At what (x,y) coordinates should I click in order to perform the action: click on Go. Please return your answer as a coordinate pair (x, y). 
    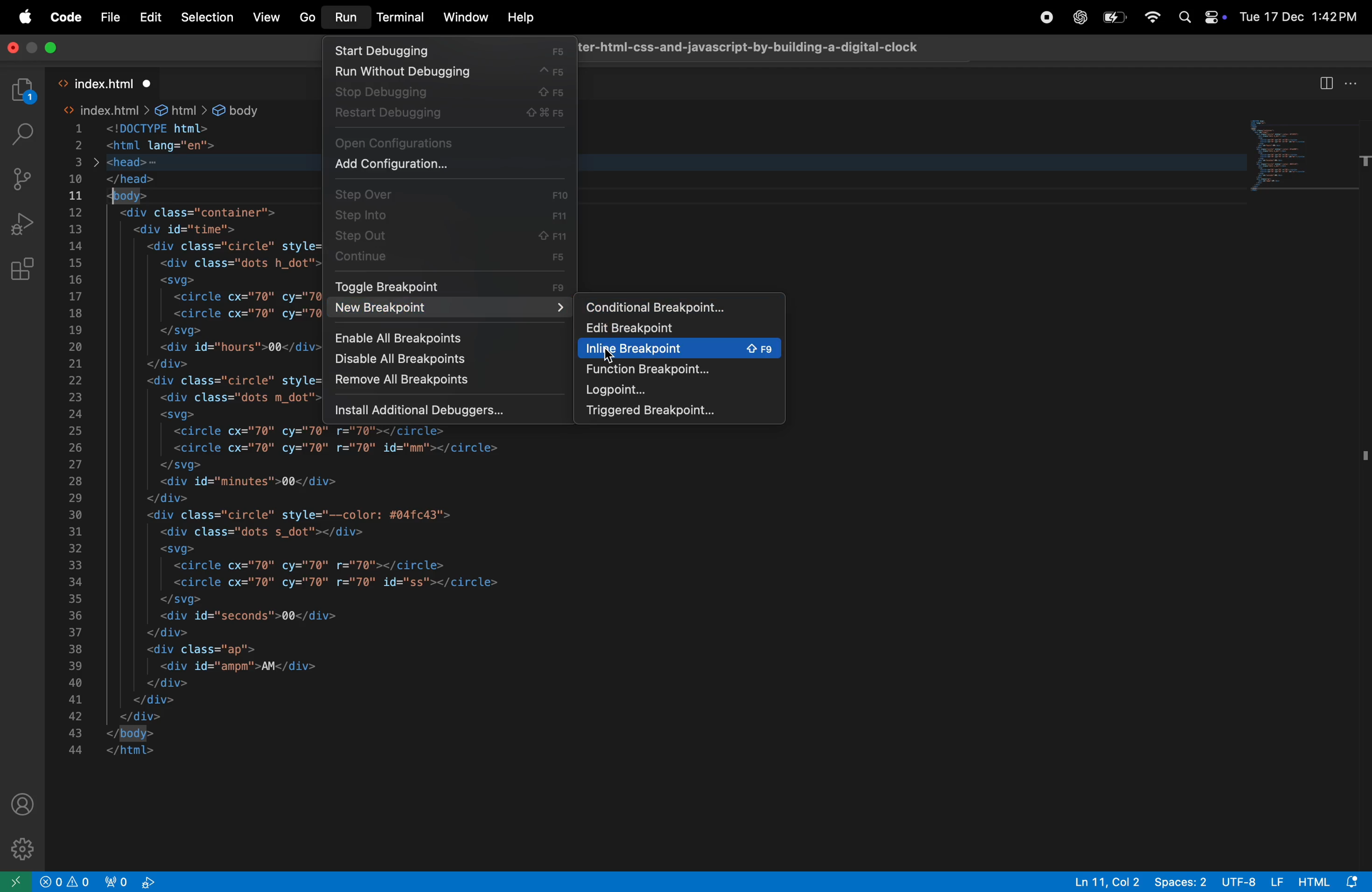
    Looking at the image, I should click on (307, 18).